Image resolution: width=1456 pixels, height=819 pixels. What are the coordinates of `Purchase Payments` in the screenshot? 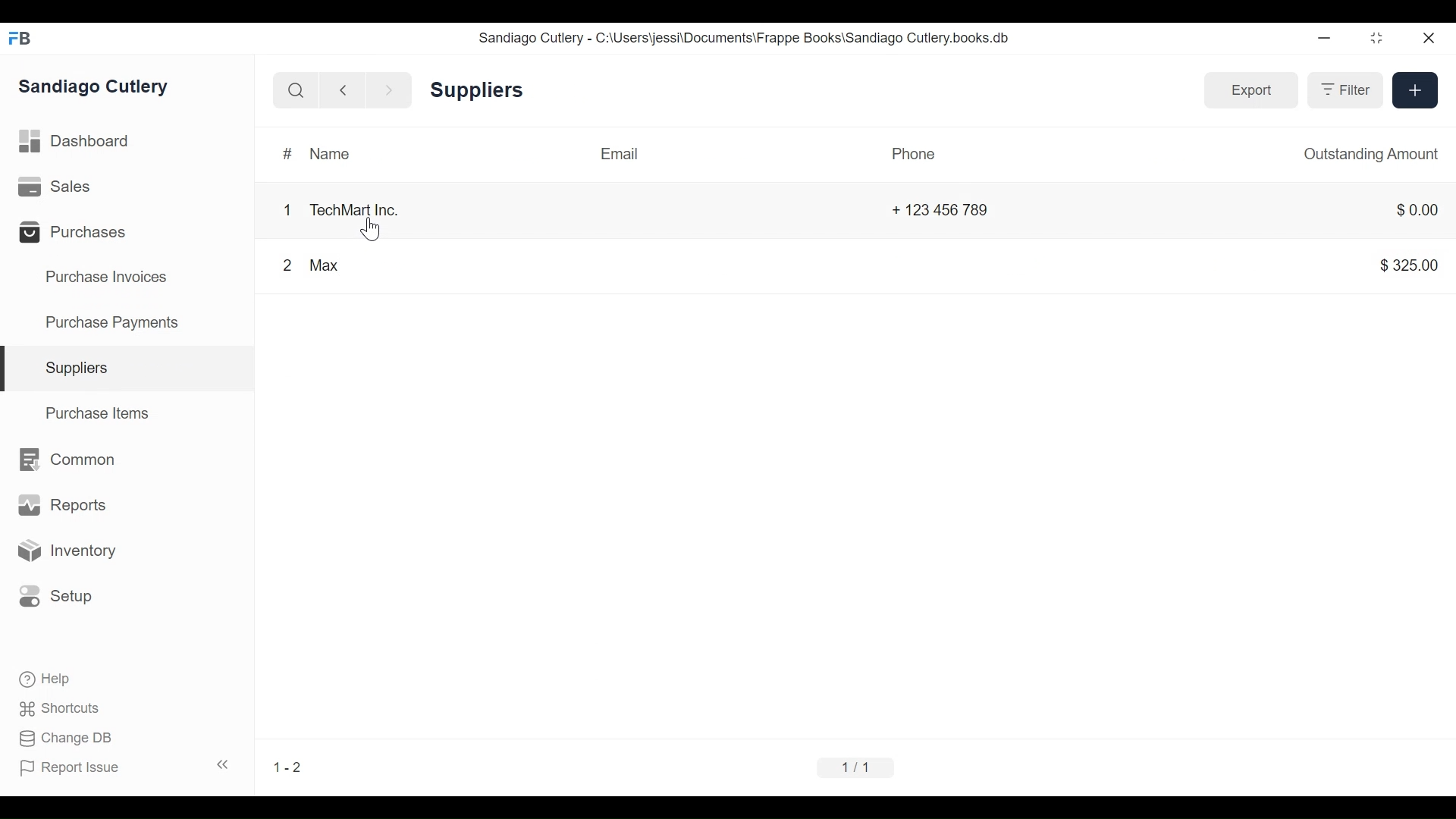 It's located at (115, 321).